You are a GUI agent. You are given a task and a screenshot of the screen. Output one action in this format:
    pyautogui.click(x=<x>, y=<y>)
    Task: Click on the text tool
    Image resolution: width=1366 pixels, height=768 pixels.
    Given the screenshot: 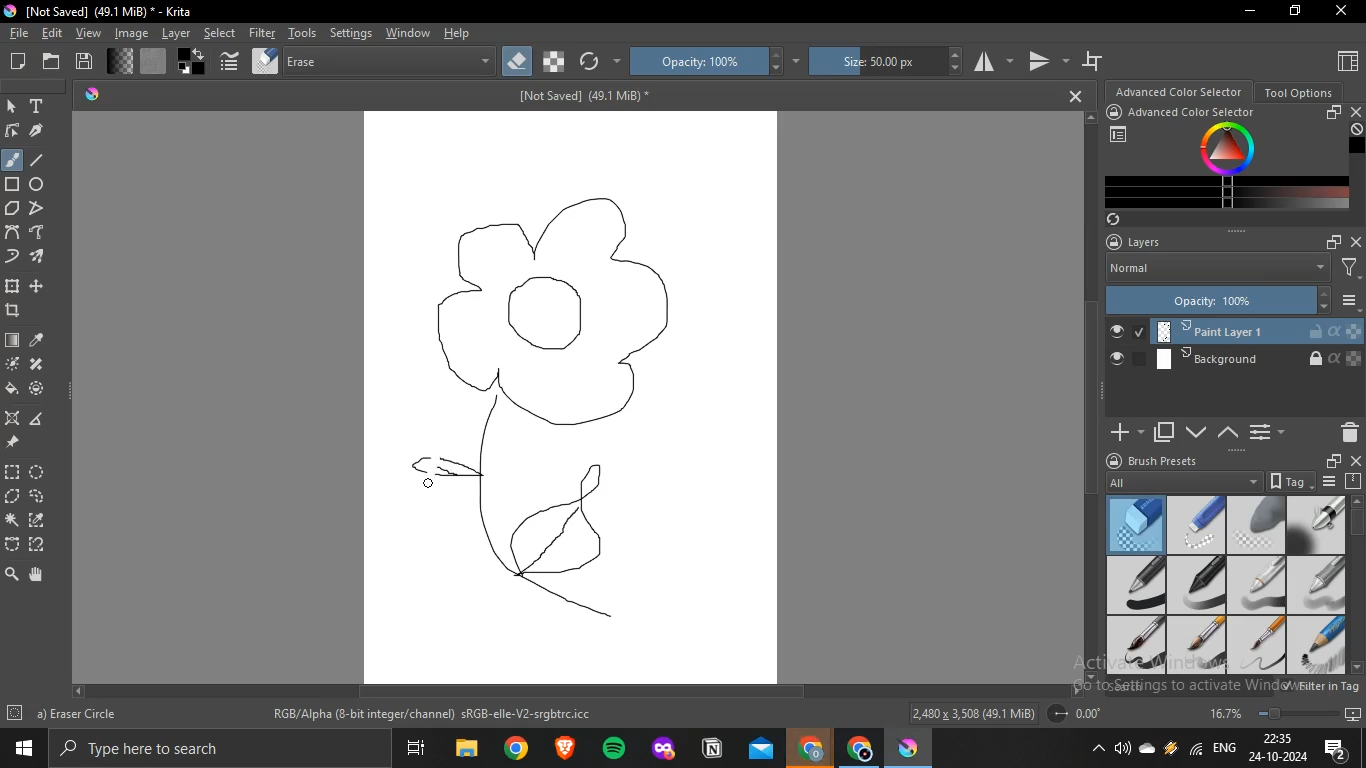 What is the action you would take?
    pyautogui.click(x=38, y=105)
    